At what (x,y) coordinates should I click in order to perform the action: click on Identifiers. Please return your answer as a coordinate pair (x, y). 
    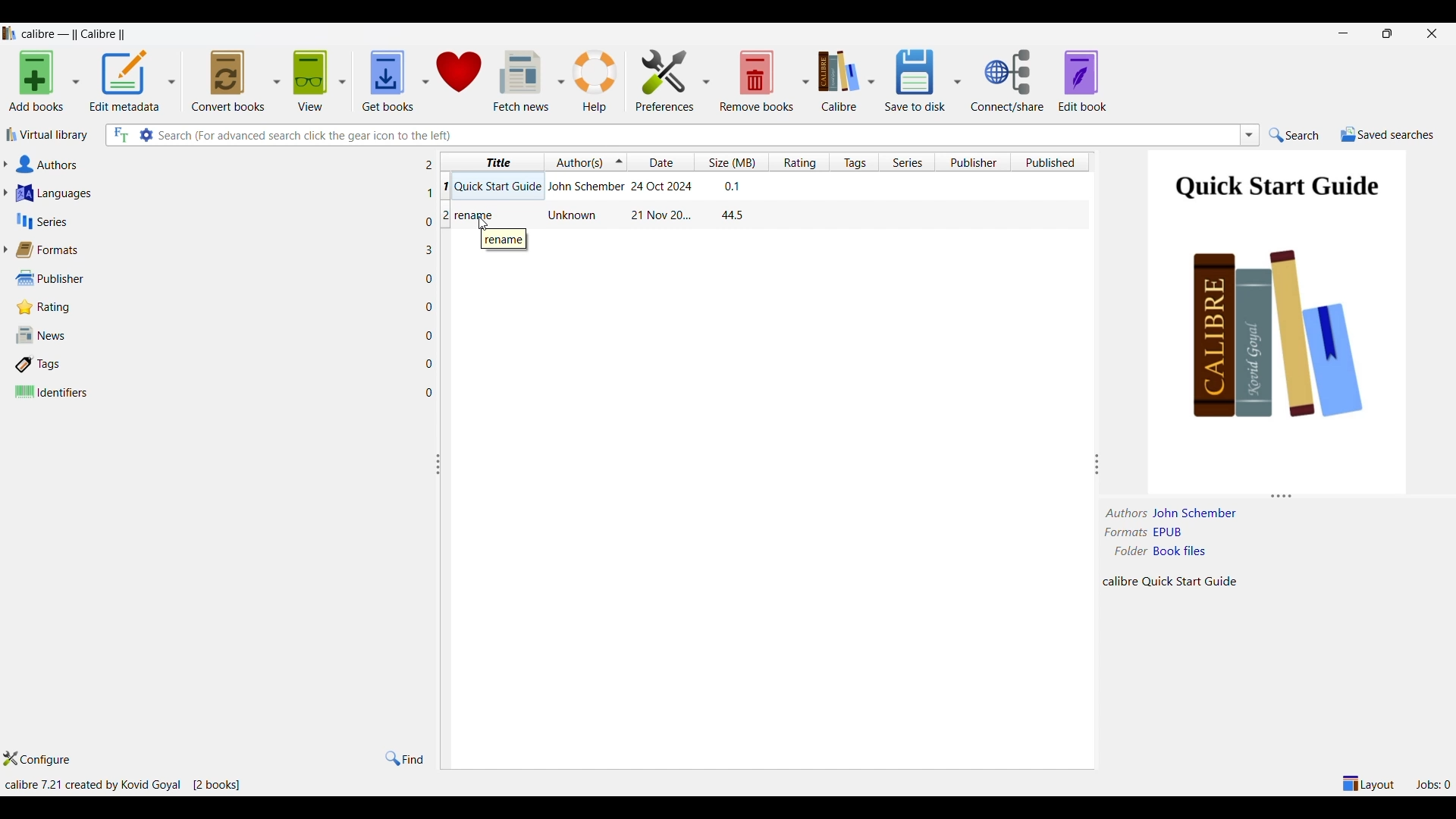
    Looking at the image, I should click on (215, 391).